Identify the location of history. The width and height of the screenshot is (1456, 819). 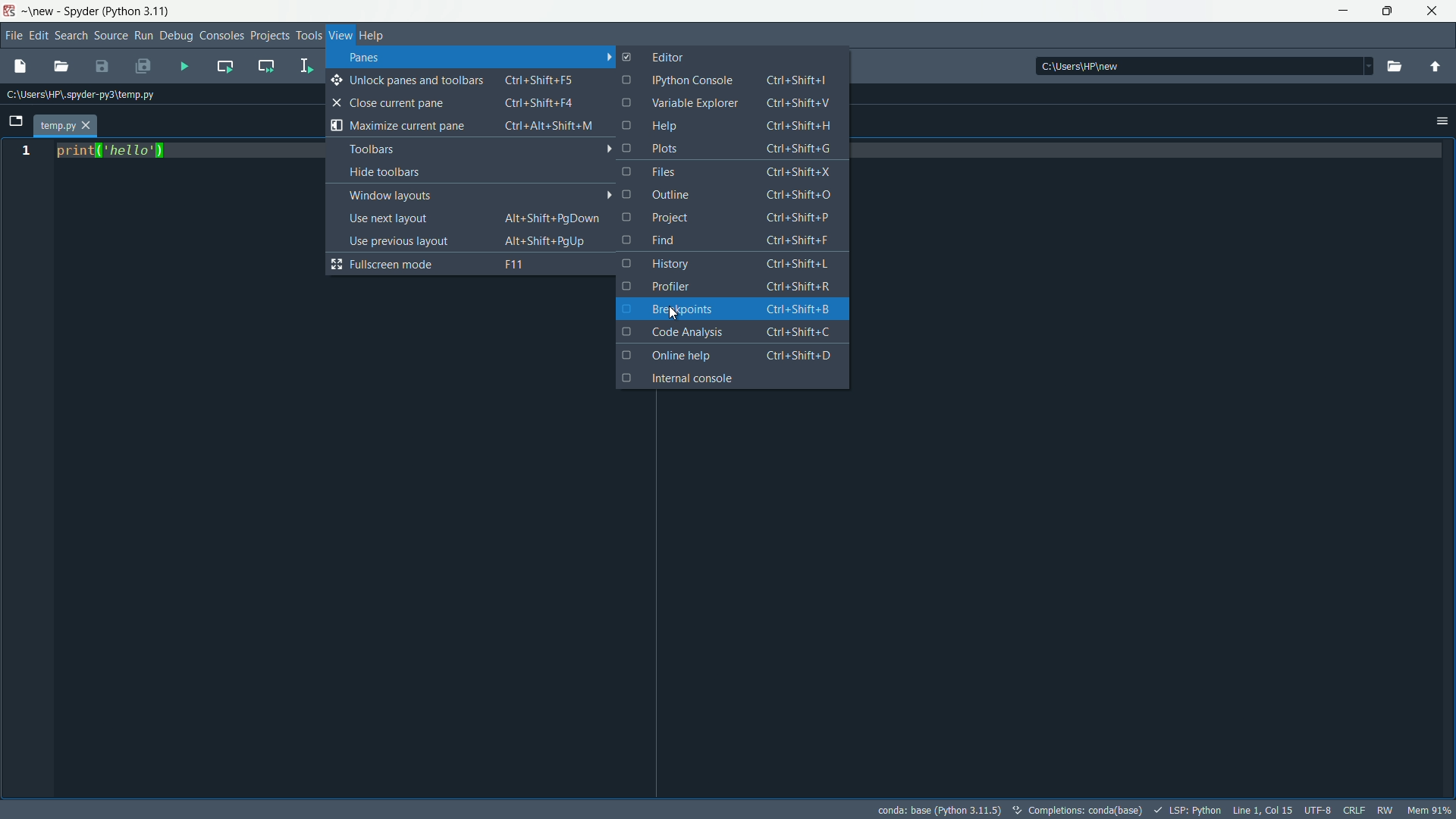
(730, 264).